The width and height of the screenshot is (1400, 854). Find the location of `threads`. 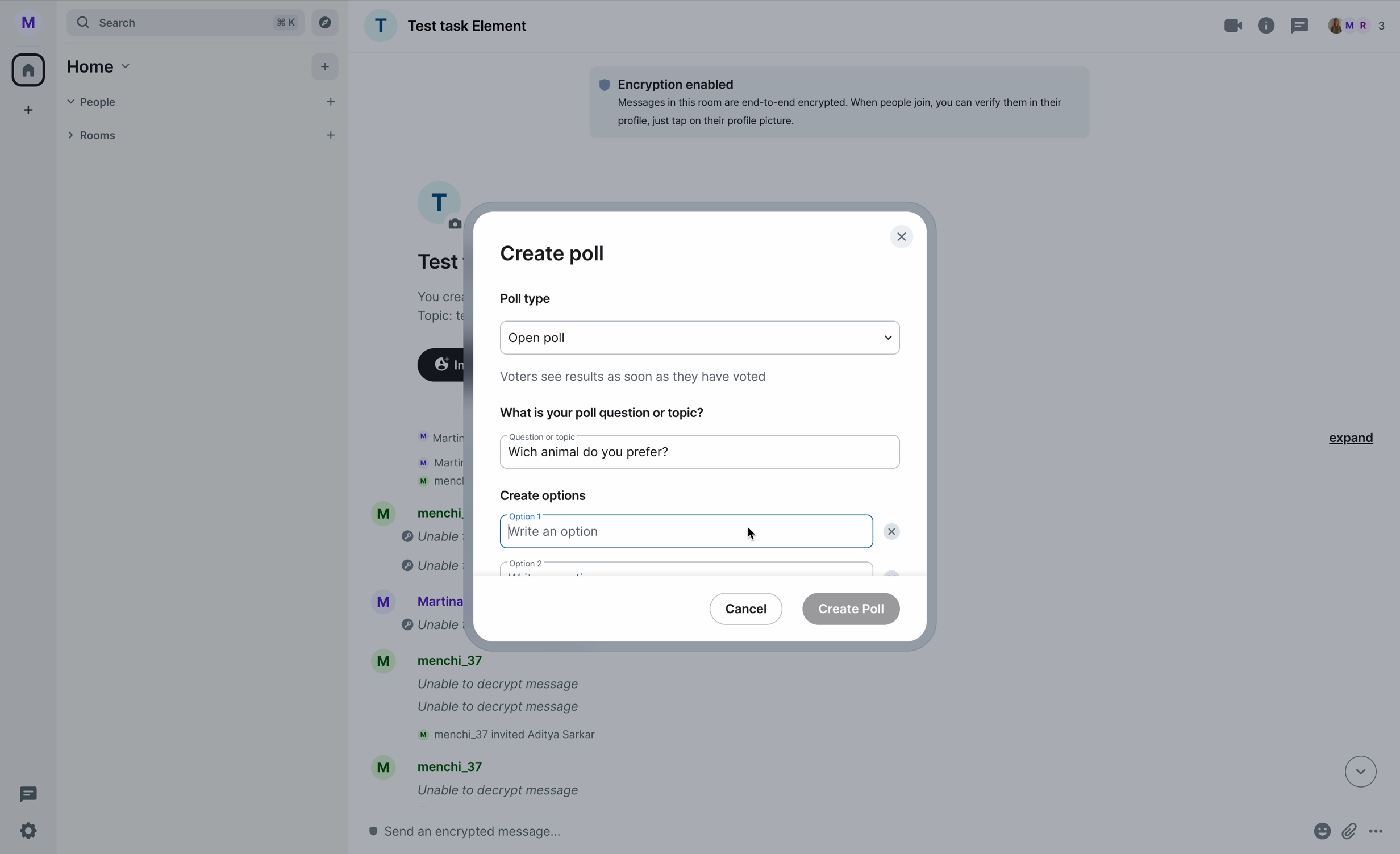

threads is located at coordinates (25, 794).